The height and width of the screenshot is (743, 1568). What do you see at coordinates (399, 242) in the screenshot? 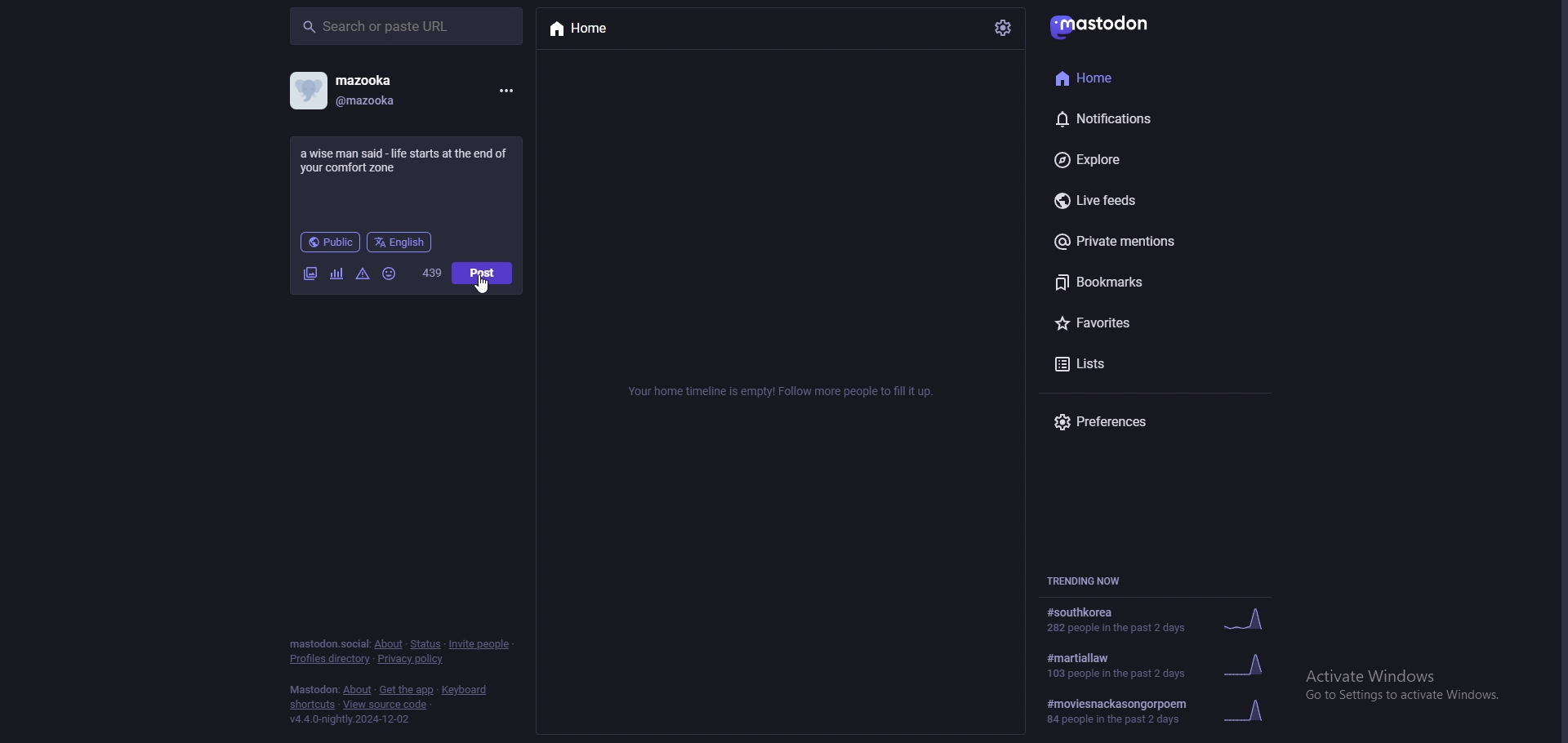
I see `language` at bounding box center [399, 242].